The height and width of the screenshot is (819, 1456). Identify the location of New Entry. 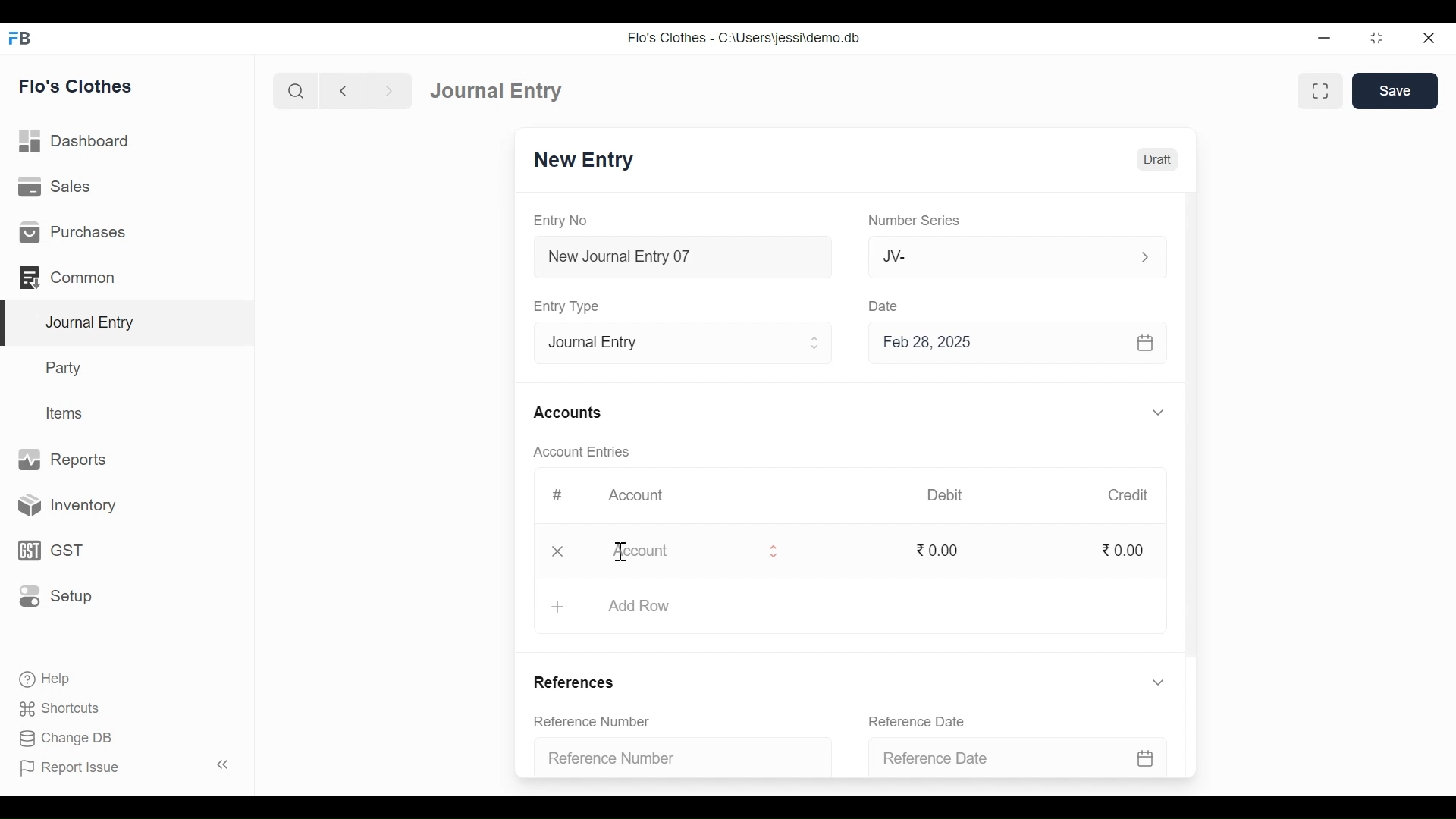
(588, 160).